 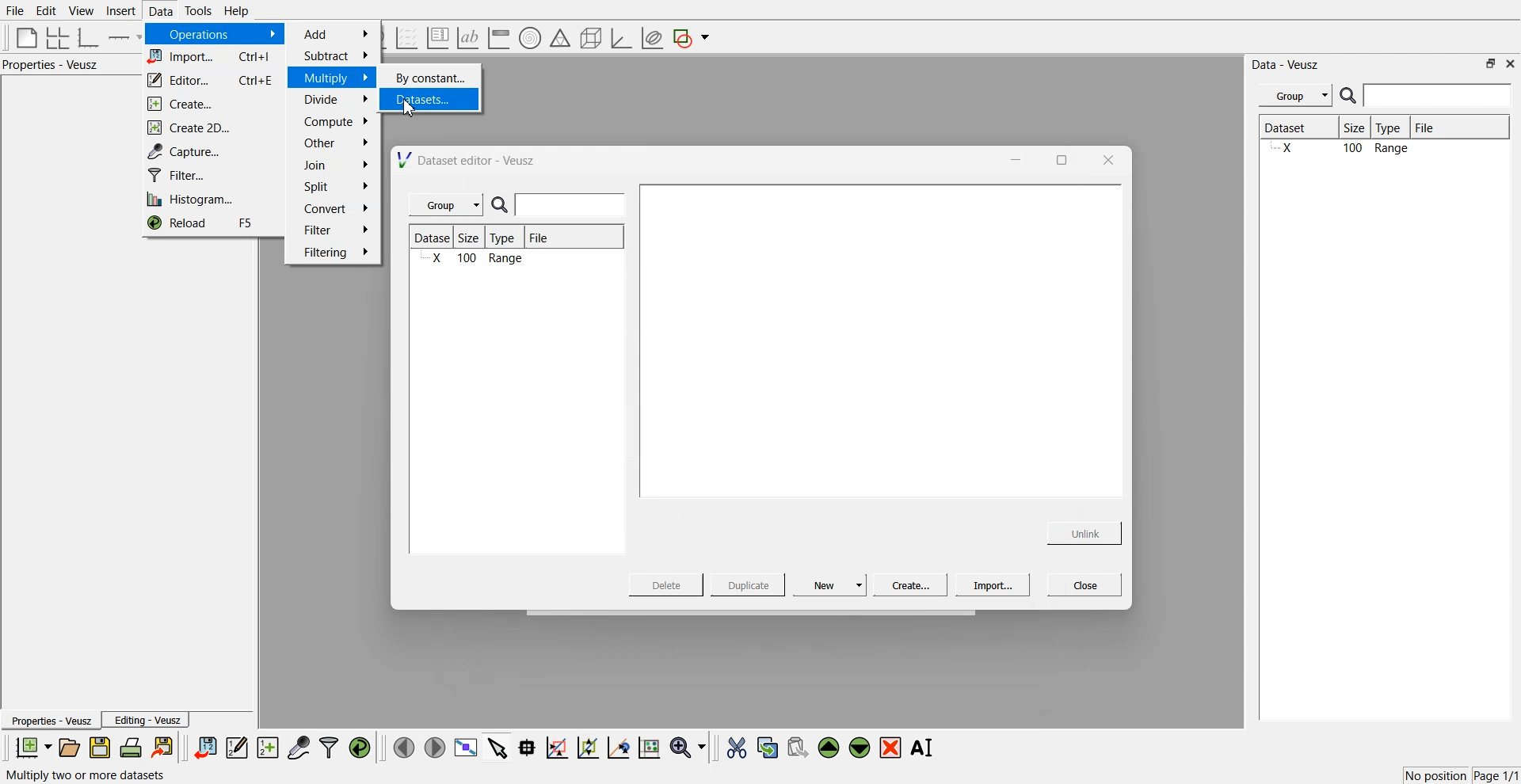 What do you see at coordinates (540, 240) in the screenshot?
I see `File` at bounding box center [540, 240].